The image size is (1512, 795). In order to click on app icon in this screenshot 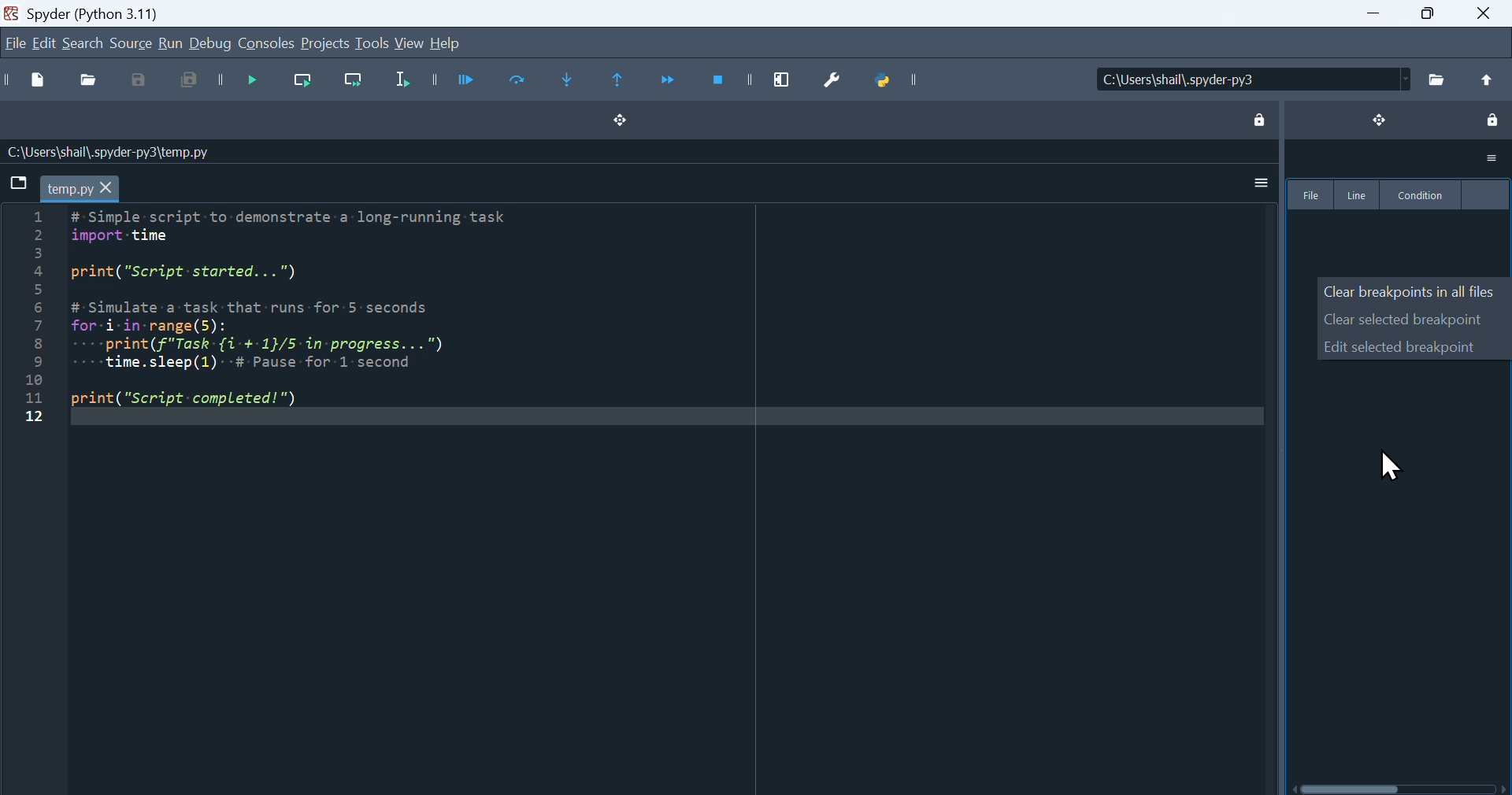, I will do `click(12, 12)`.